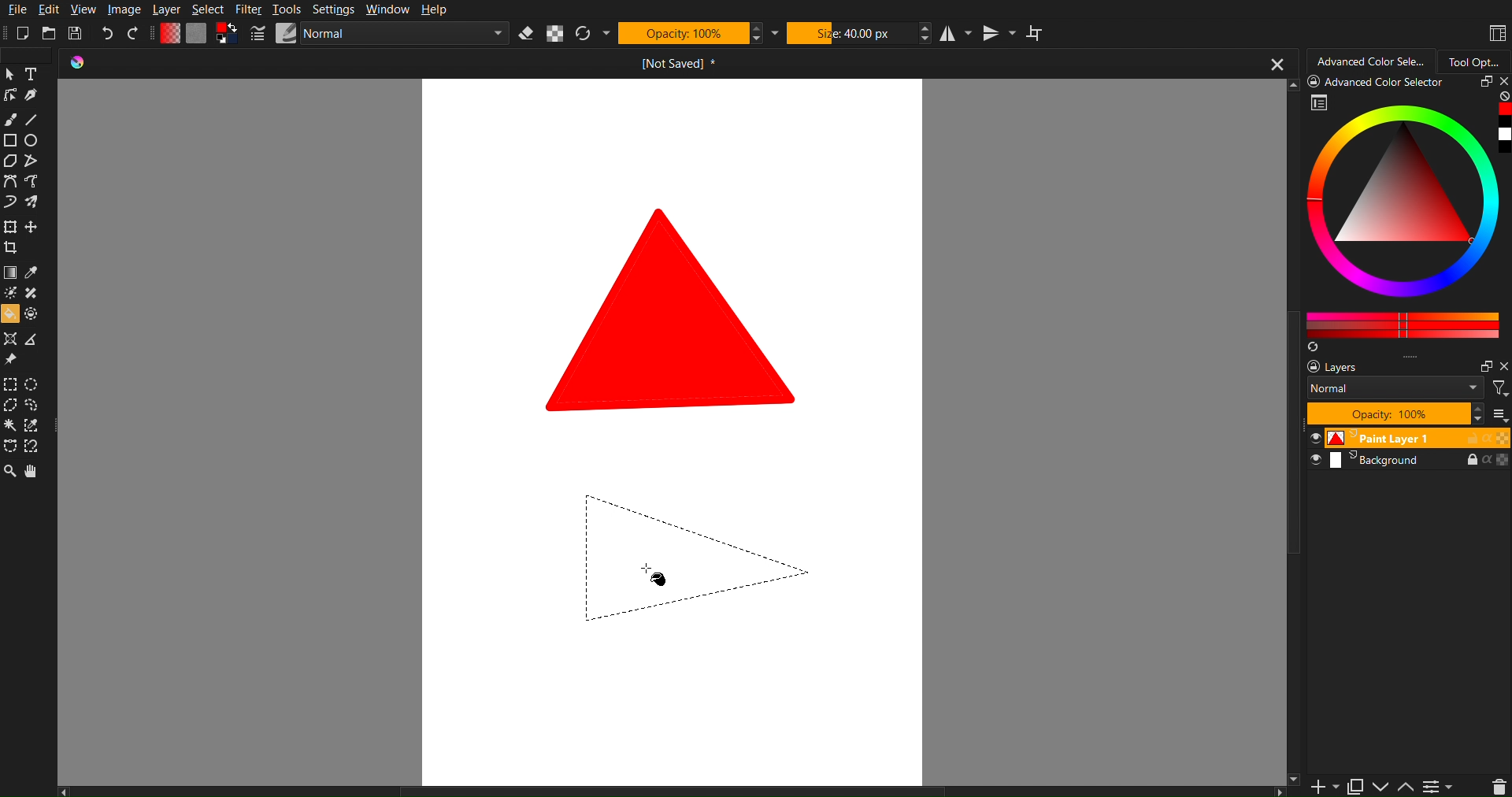  I want to click on Line 1, so click(580, 517).